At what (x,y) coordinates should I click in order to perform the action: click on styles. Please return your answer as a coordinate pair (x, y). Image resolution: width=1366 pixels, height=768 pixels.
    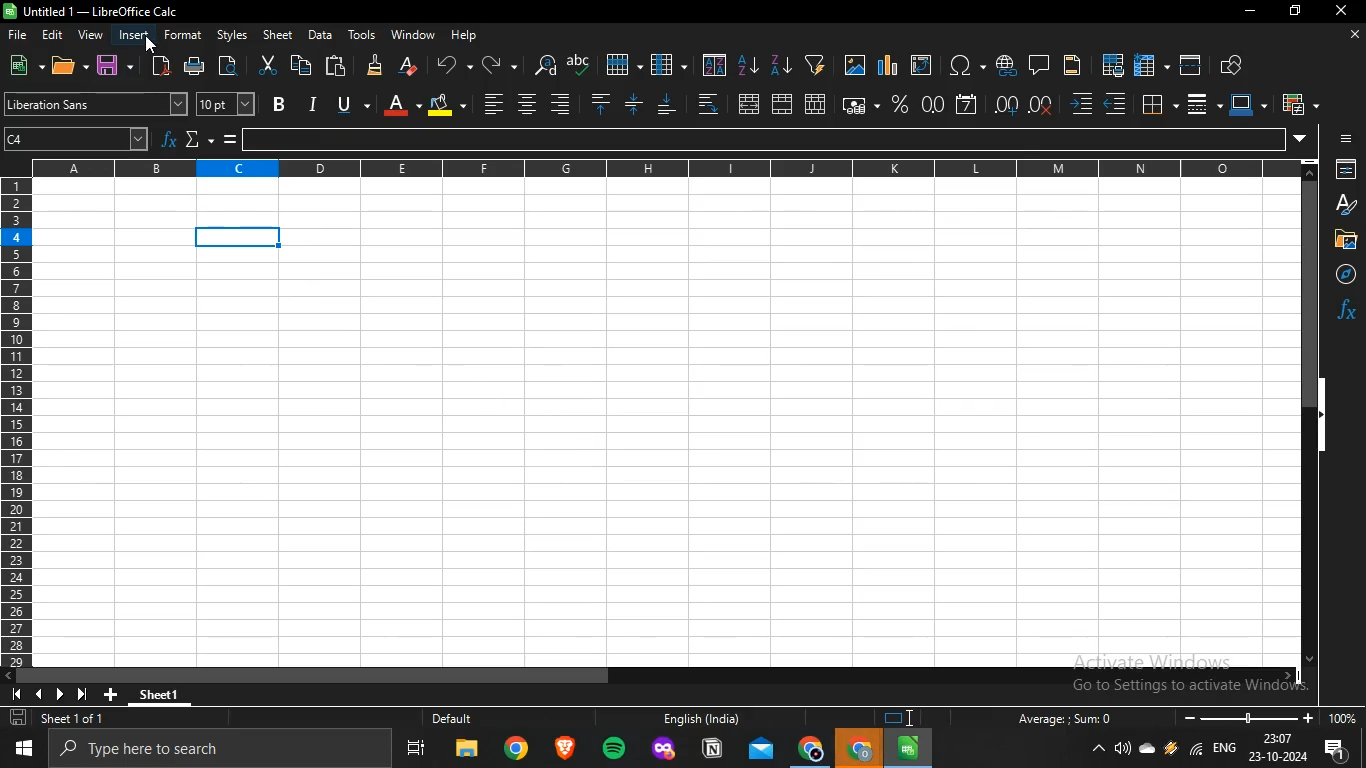
    Looking at the image, I should click on (1342, 204).